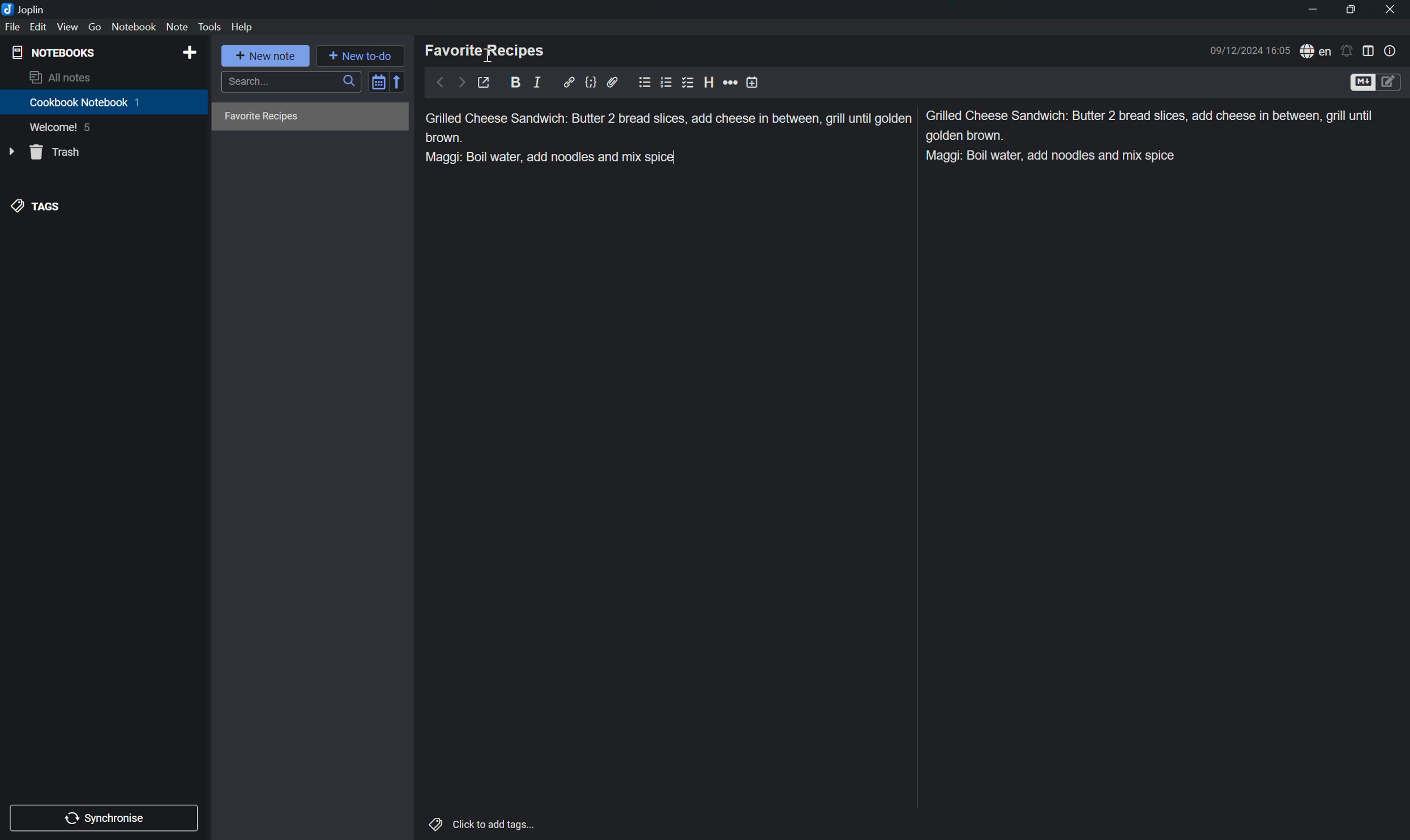  What do you see at coordinates (263, 117) in the screenshot?
I see `Favorite recipies` at bounding box center [263, 117].